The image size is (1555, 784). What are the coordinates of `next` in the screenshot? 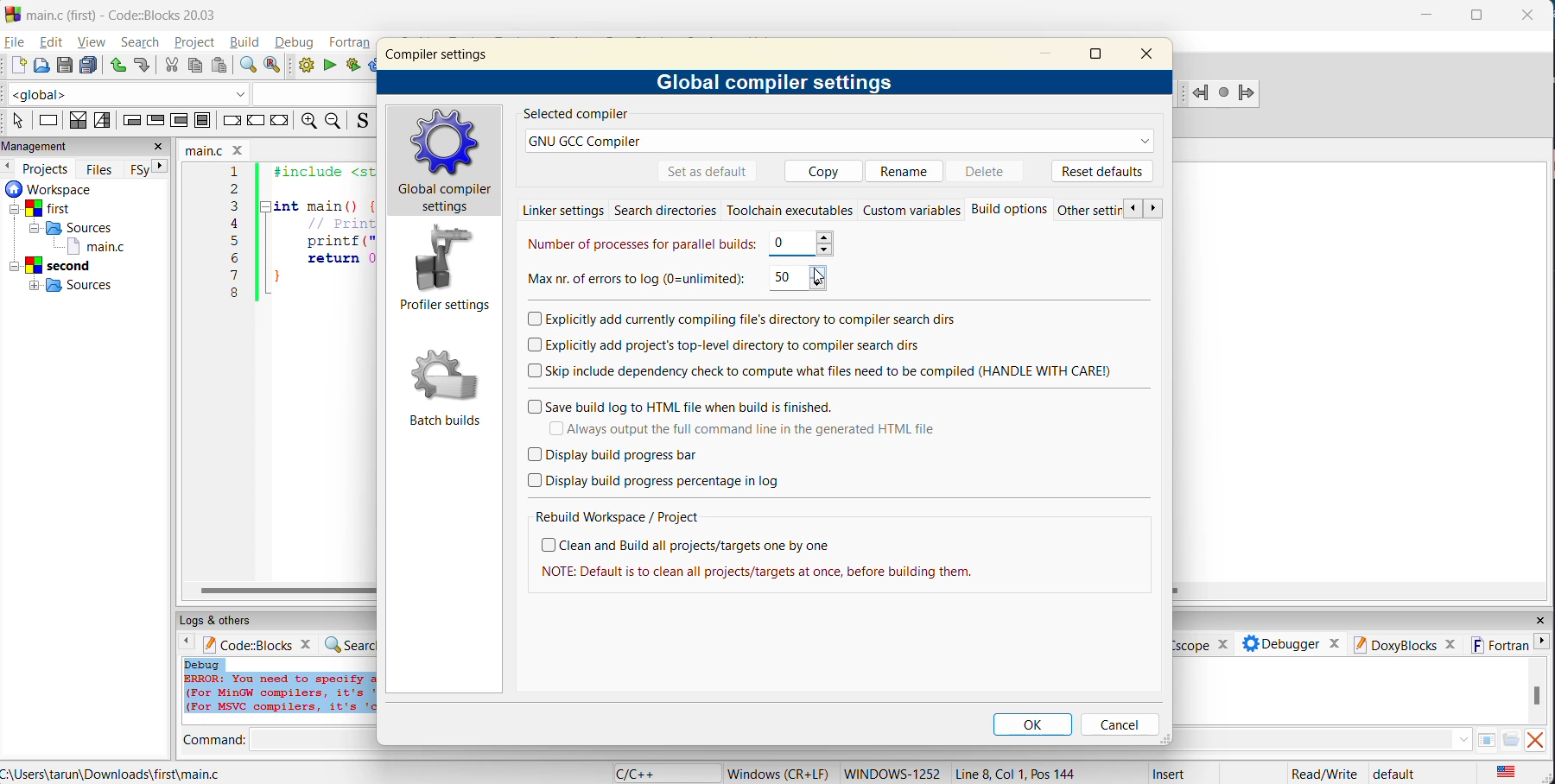 It's located at (155, 168).